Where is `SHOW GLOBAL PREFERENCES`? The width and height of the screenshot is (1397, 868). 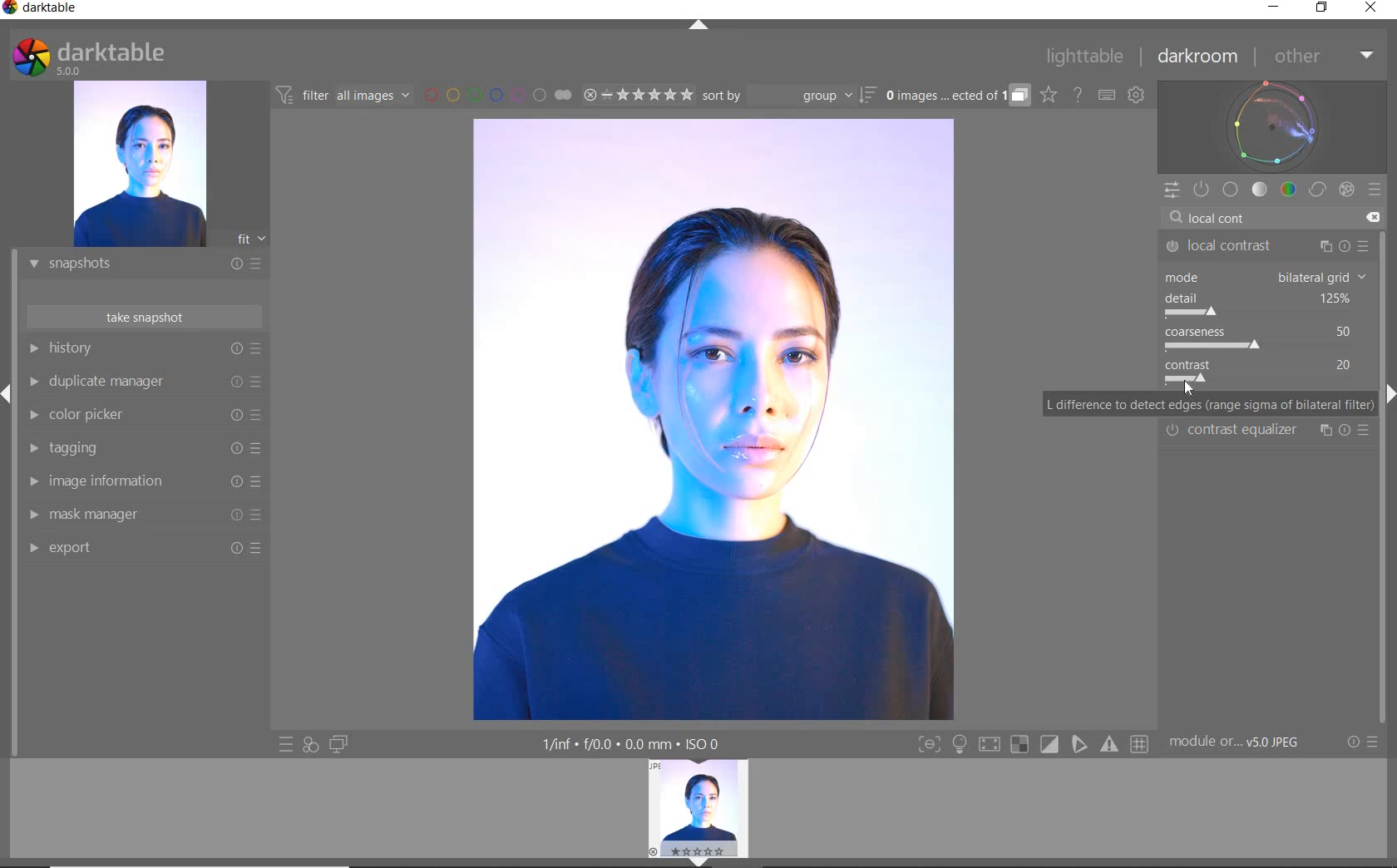 SHOW GLOBAL PREFERENCES is located at coordinates (1136, 96).